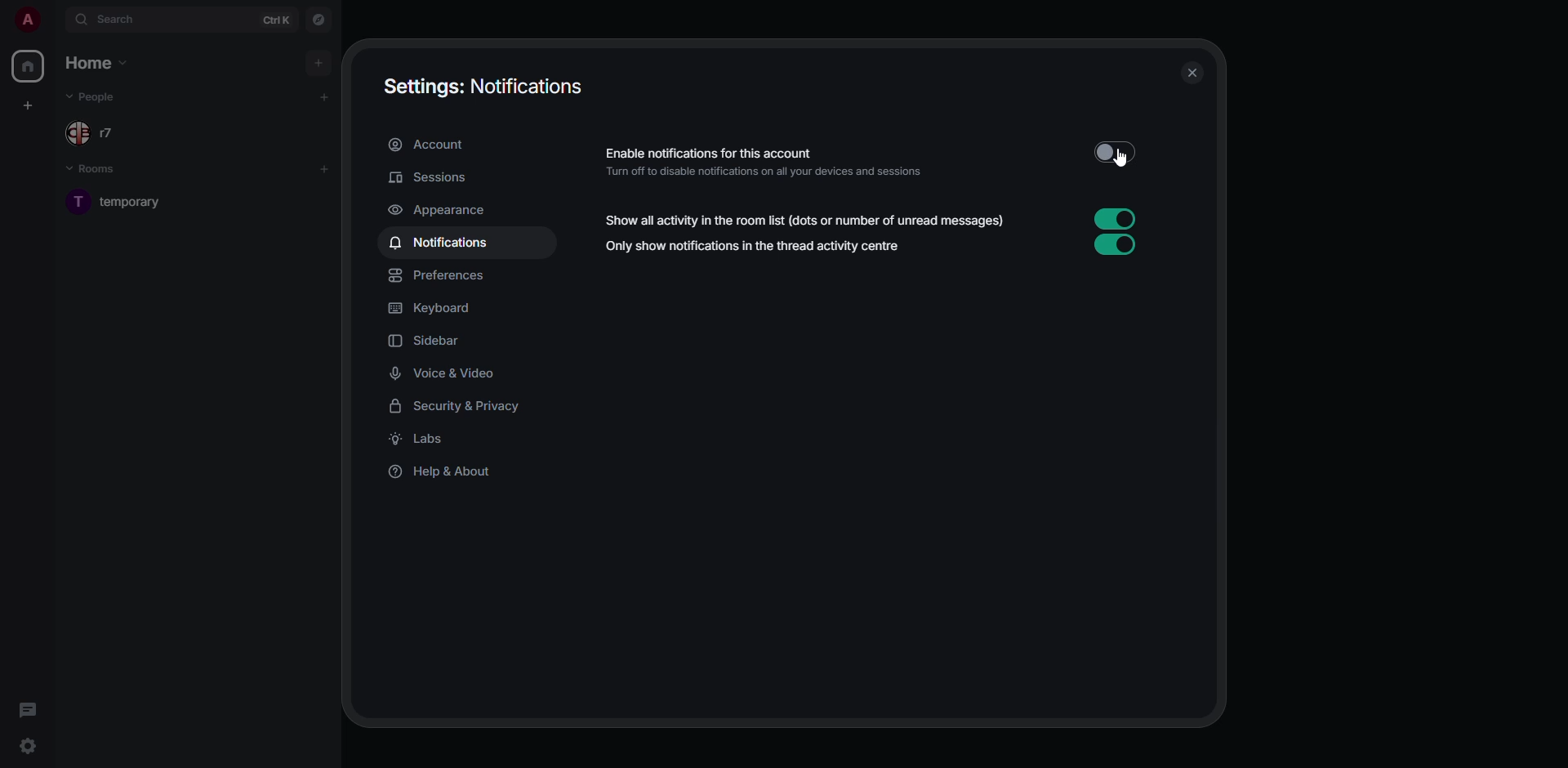 This screenshot has height=768, width=1568. Describe the element at coordinates (28, 745) in the screenshot. I see `quick settings` at that location.